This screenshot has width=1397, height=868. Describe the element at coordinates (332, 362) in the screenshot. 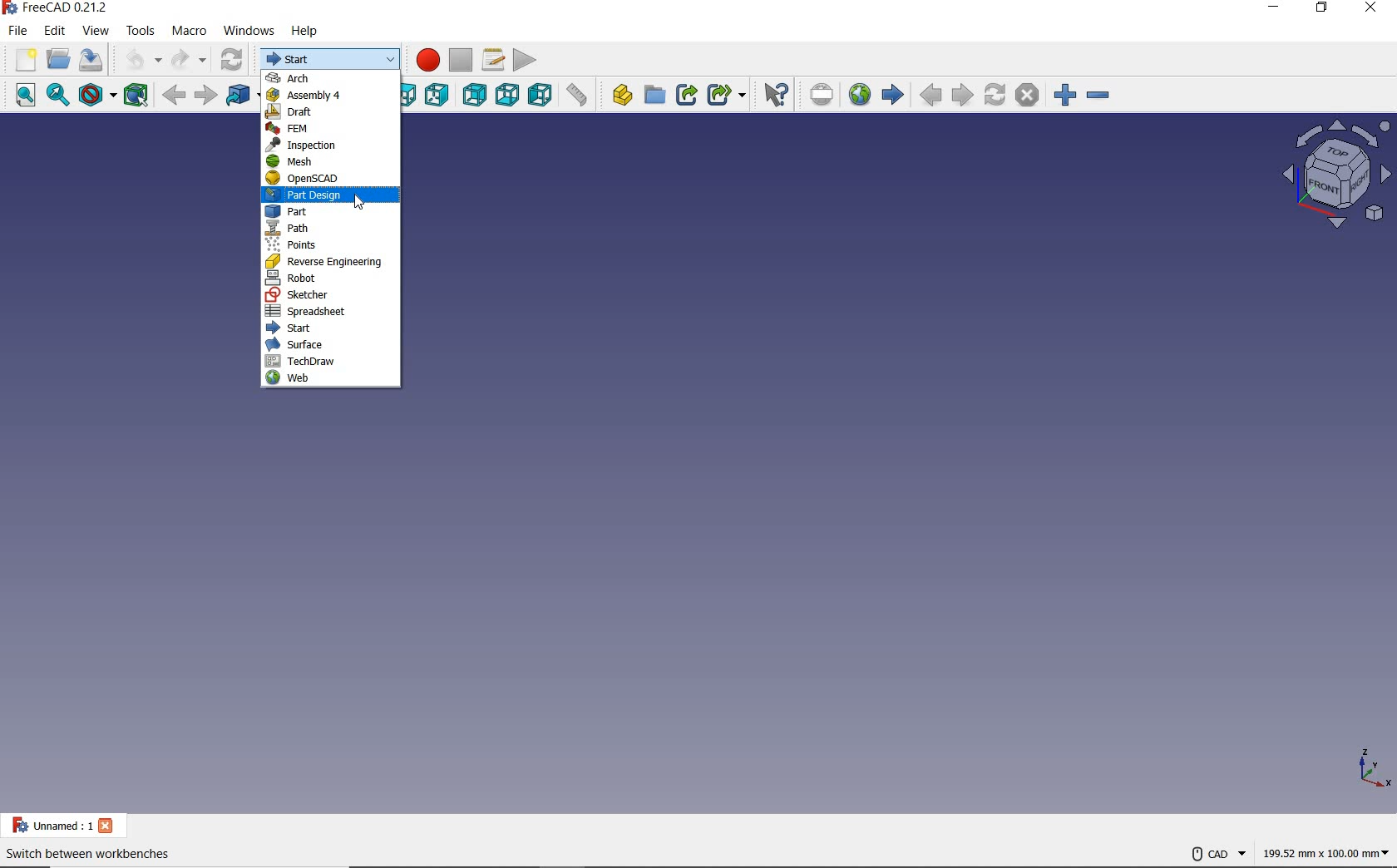

I see `TECHDRAW` at that location.